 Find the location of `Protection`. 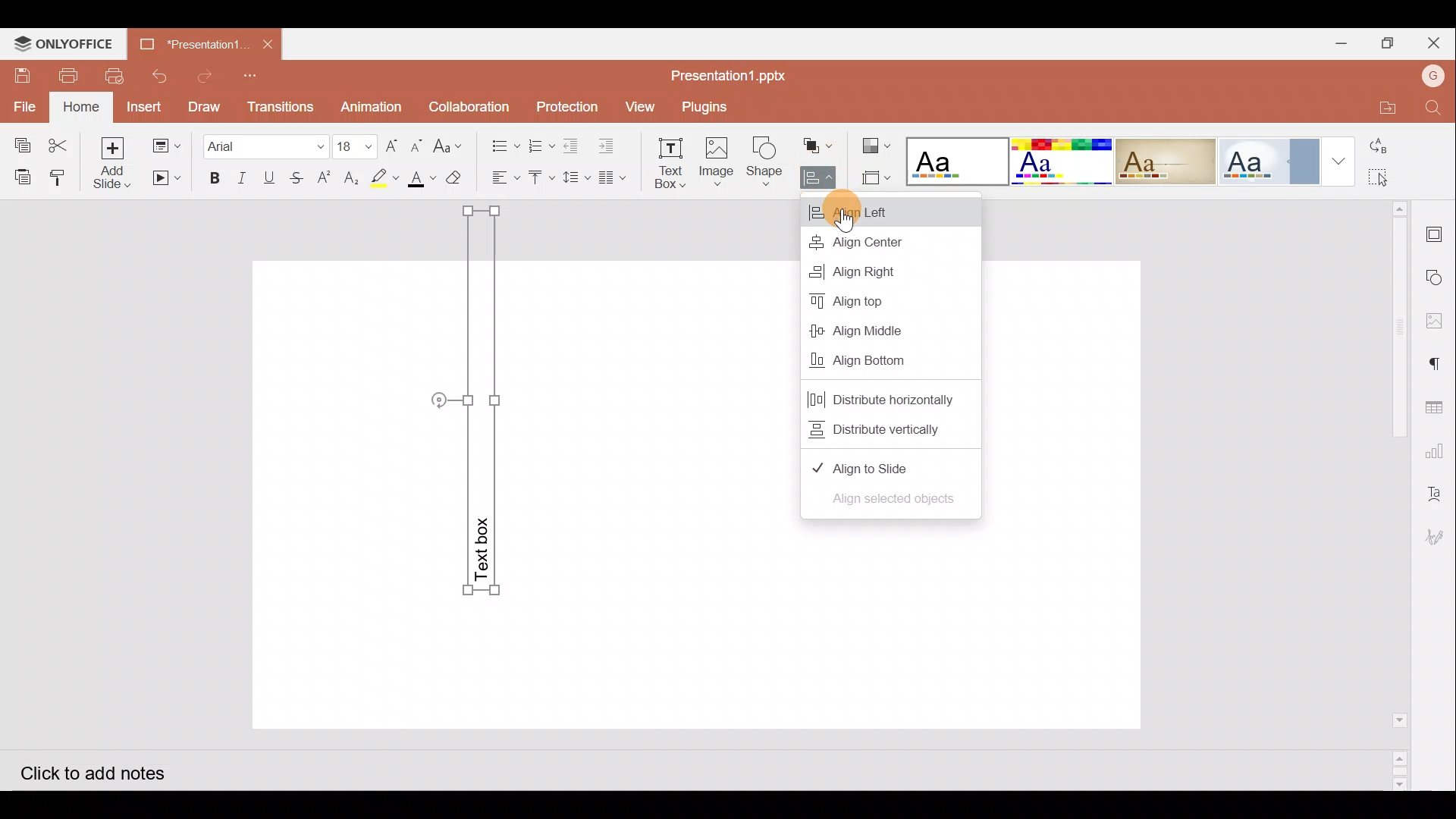

Protection is located at coordinates (566, 108).